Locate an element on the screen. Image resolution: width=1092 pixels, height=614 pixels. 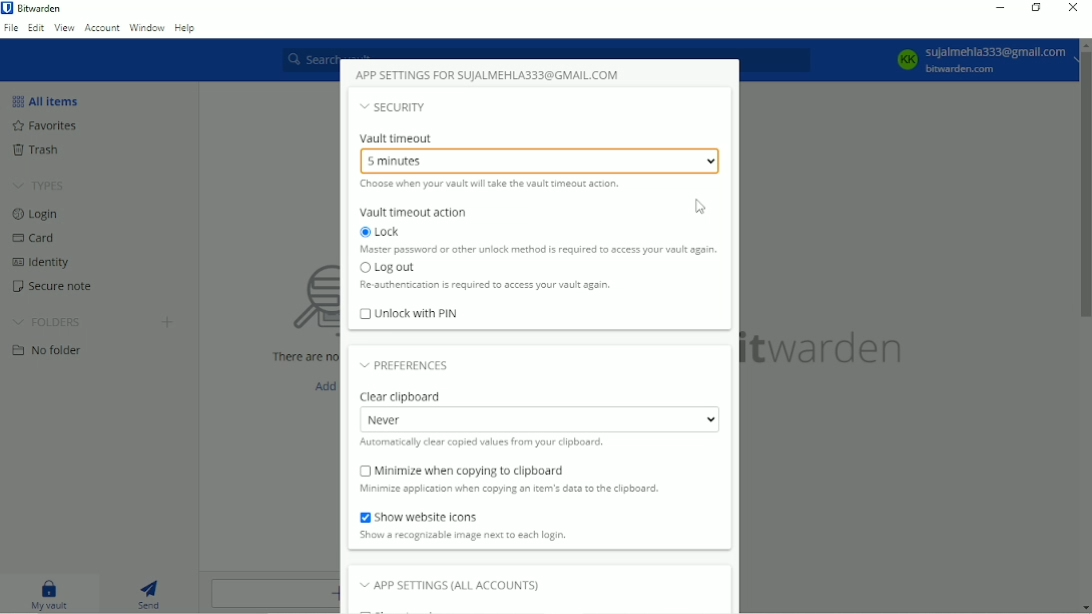
App settings for SUJALMEHLA333@GMAIL.COM is located at coordinates (490, 75).